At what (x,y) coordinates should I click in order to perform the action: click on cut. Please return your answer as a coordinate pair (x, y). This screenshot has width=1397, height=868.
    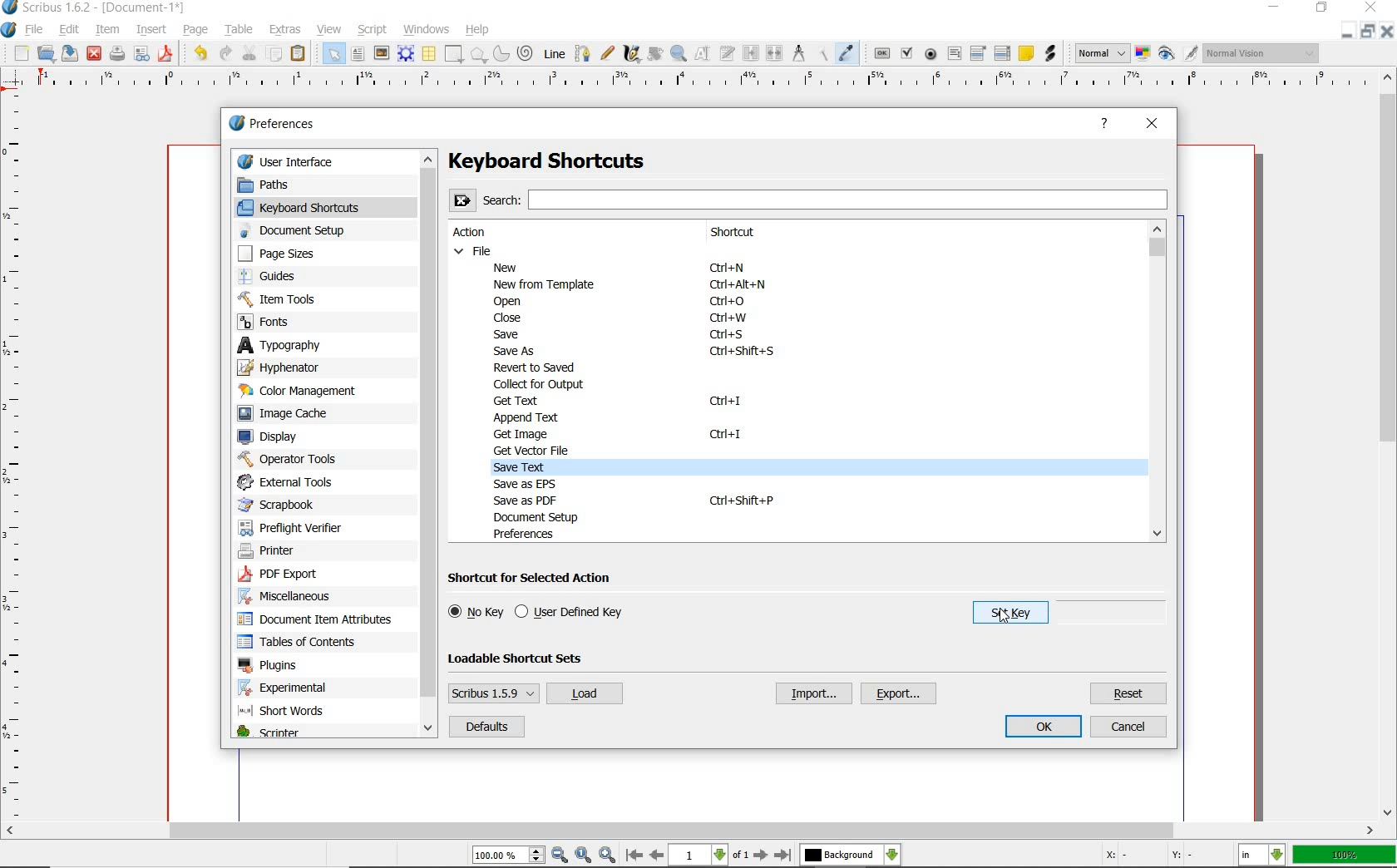
    Looking at the image, I should click on (251, 52).